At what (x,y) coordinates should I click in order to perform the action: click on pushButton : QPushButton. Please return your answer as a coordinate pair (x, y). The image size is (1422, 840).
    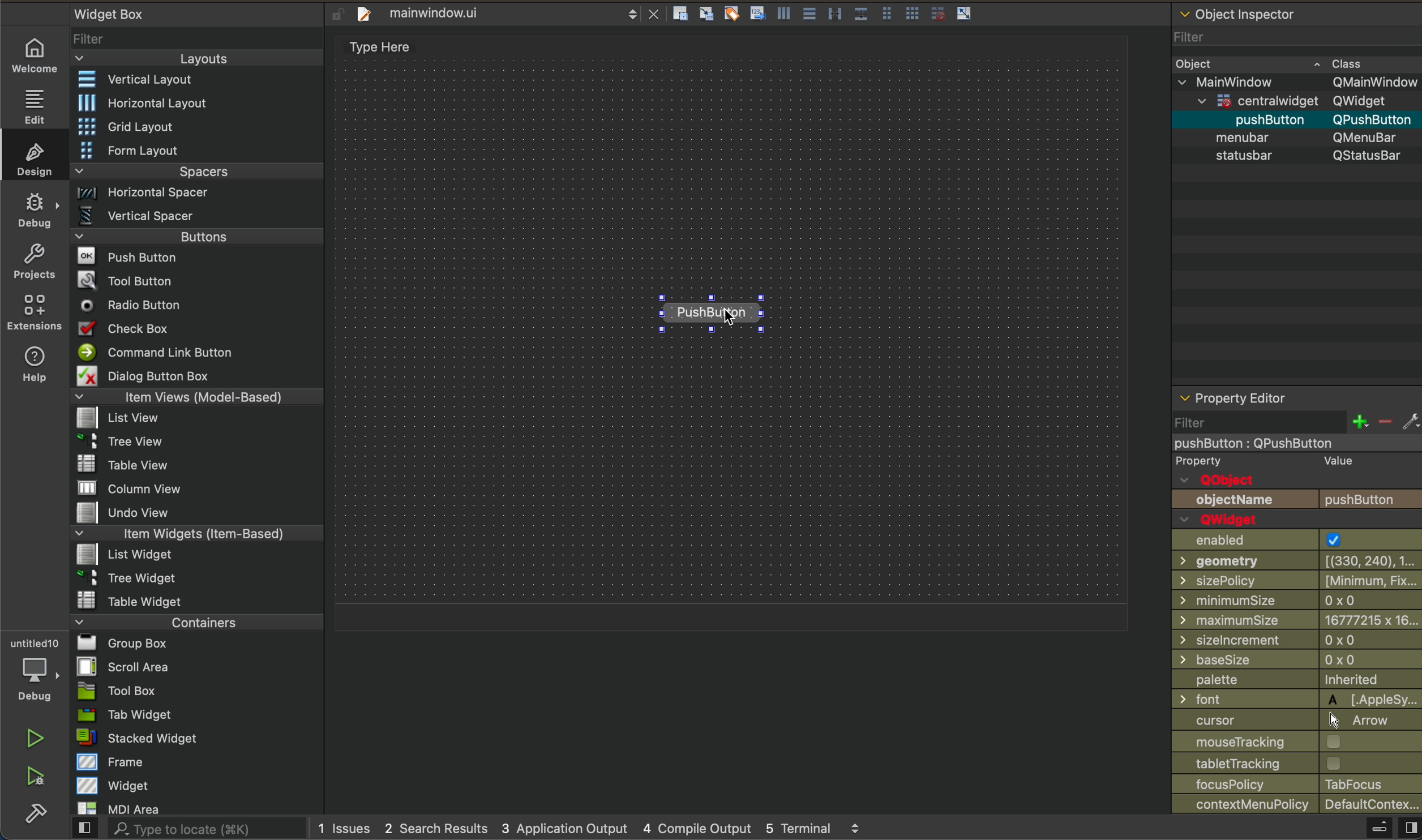
    Looking at the image, I should click on (1258, 444).